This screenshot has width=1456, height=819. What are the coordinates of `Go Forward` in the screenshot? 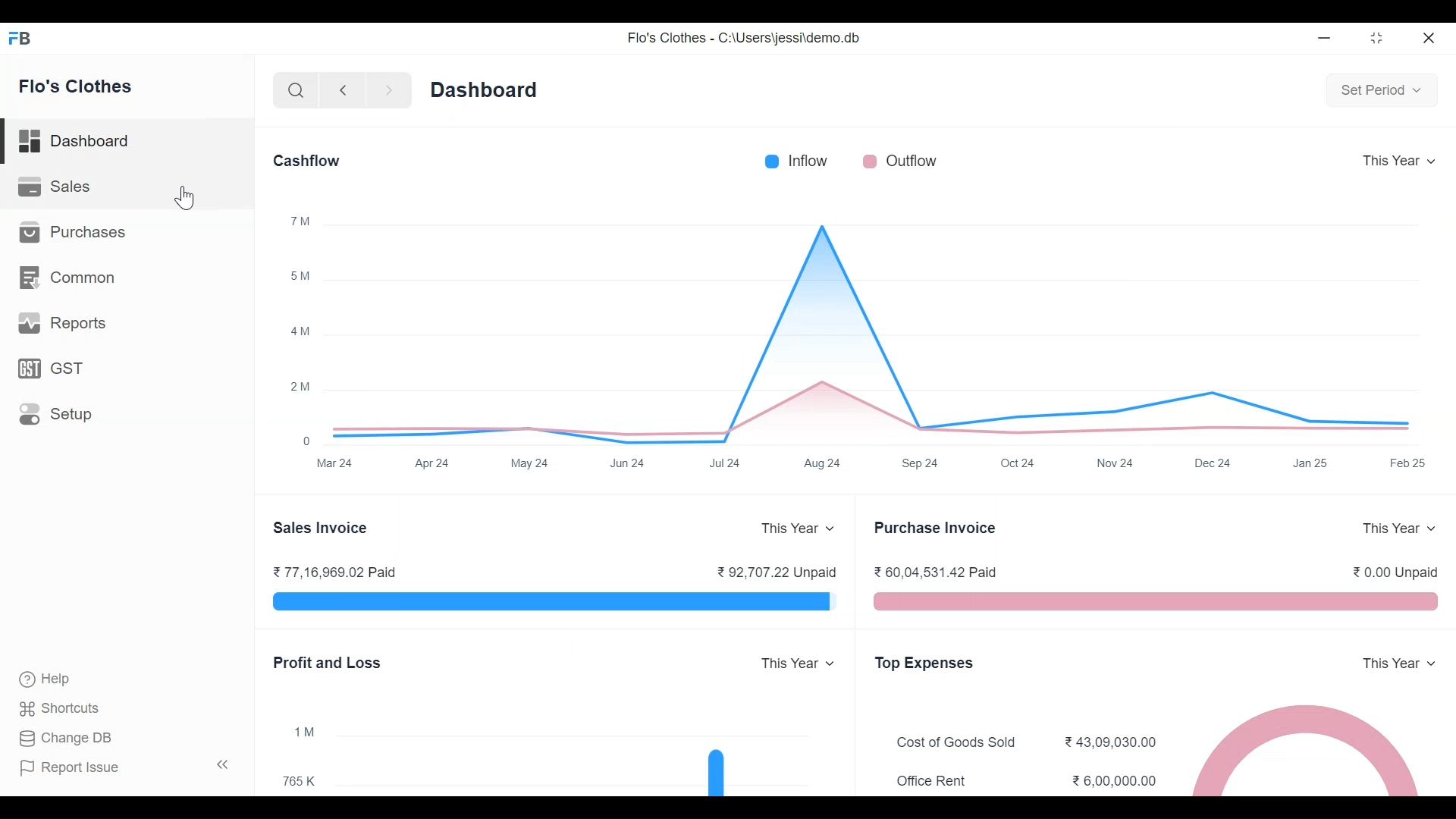 It's located at (383, 91).